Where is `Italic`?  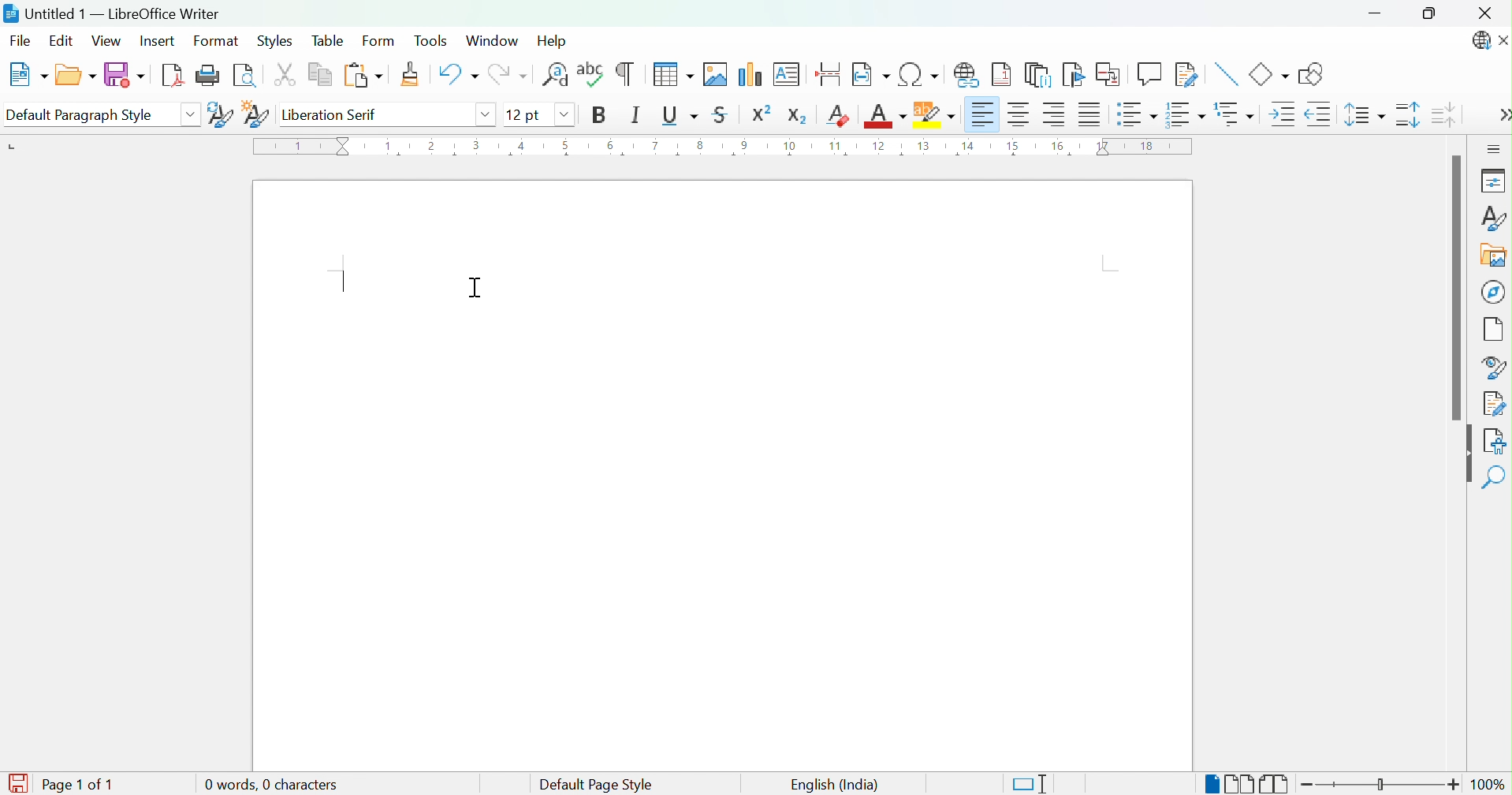
Italic is located at coordinates (635, 114).